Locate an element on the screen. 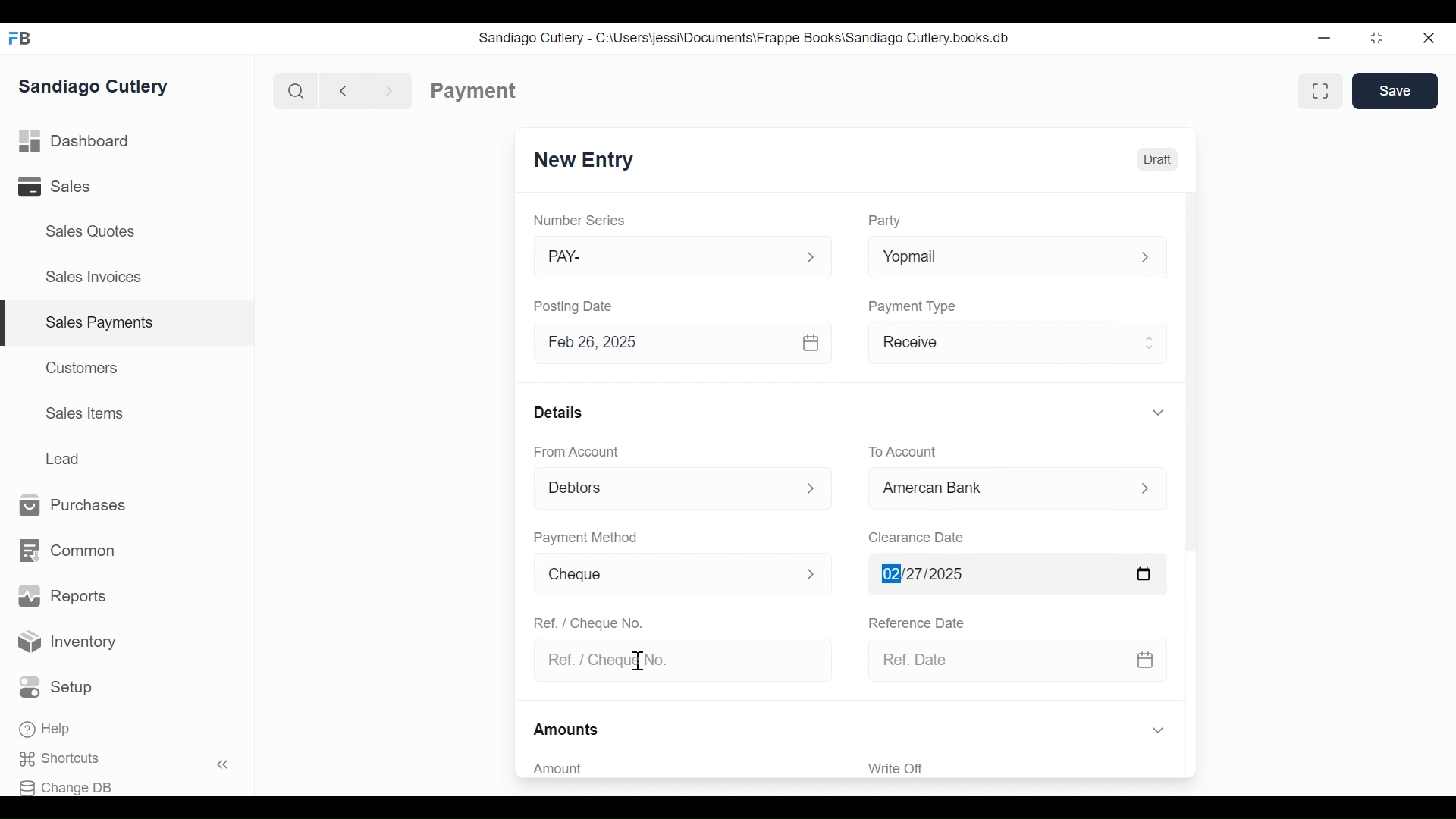  Payment is located at coordinates (474, 91).